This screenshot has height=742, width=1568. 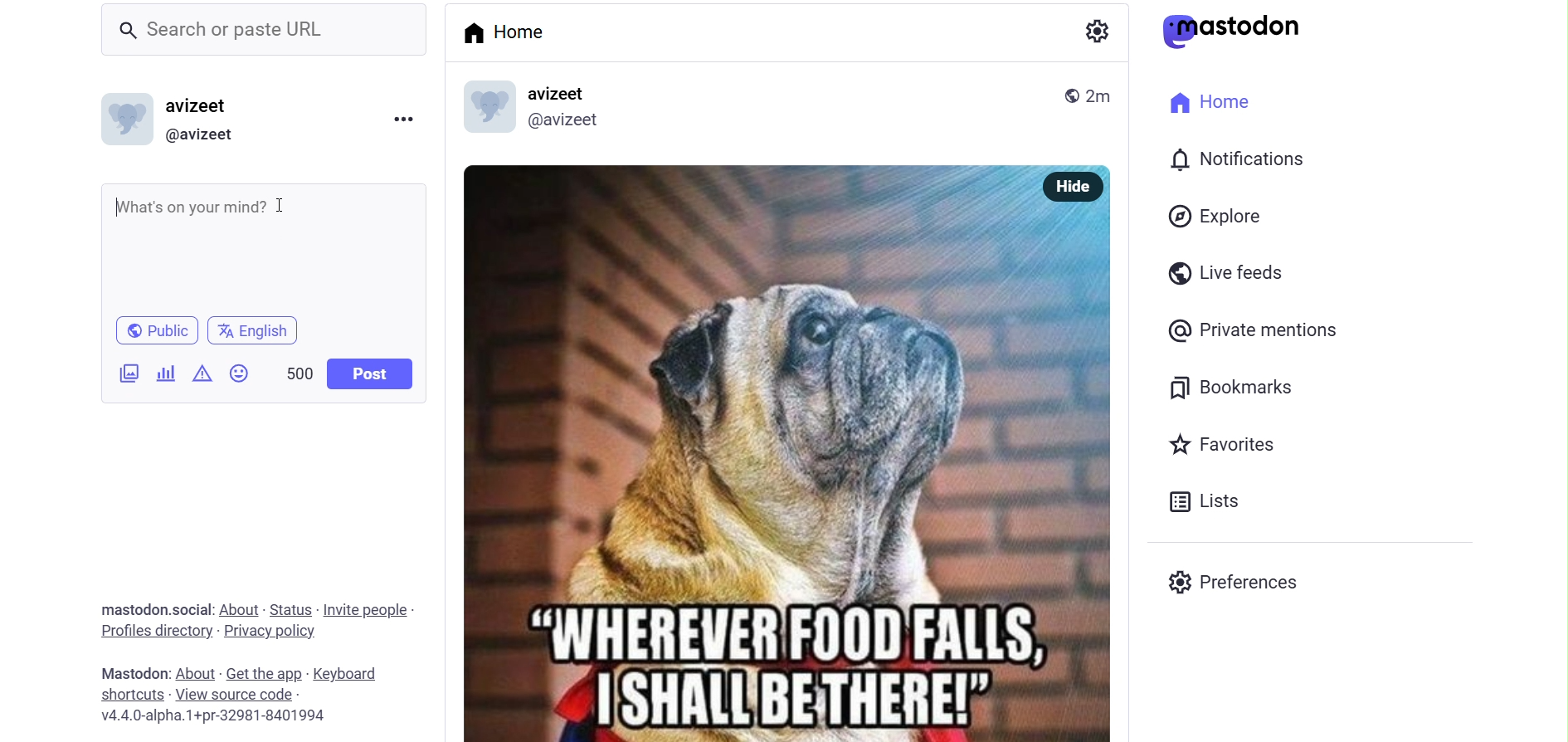 What do you see at coordinates (791, 477) in the screenshot?
I see `meme photo` at bounding box center [791, 477].